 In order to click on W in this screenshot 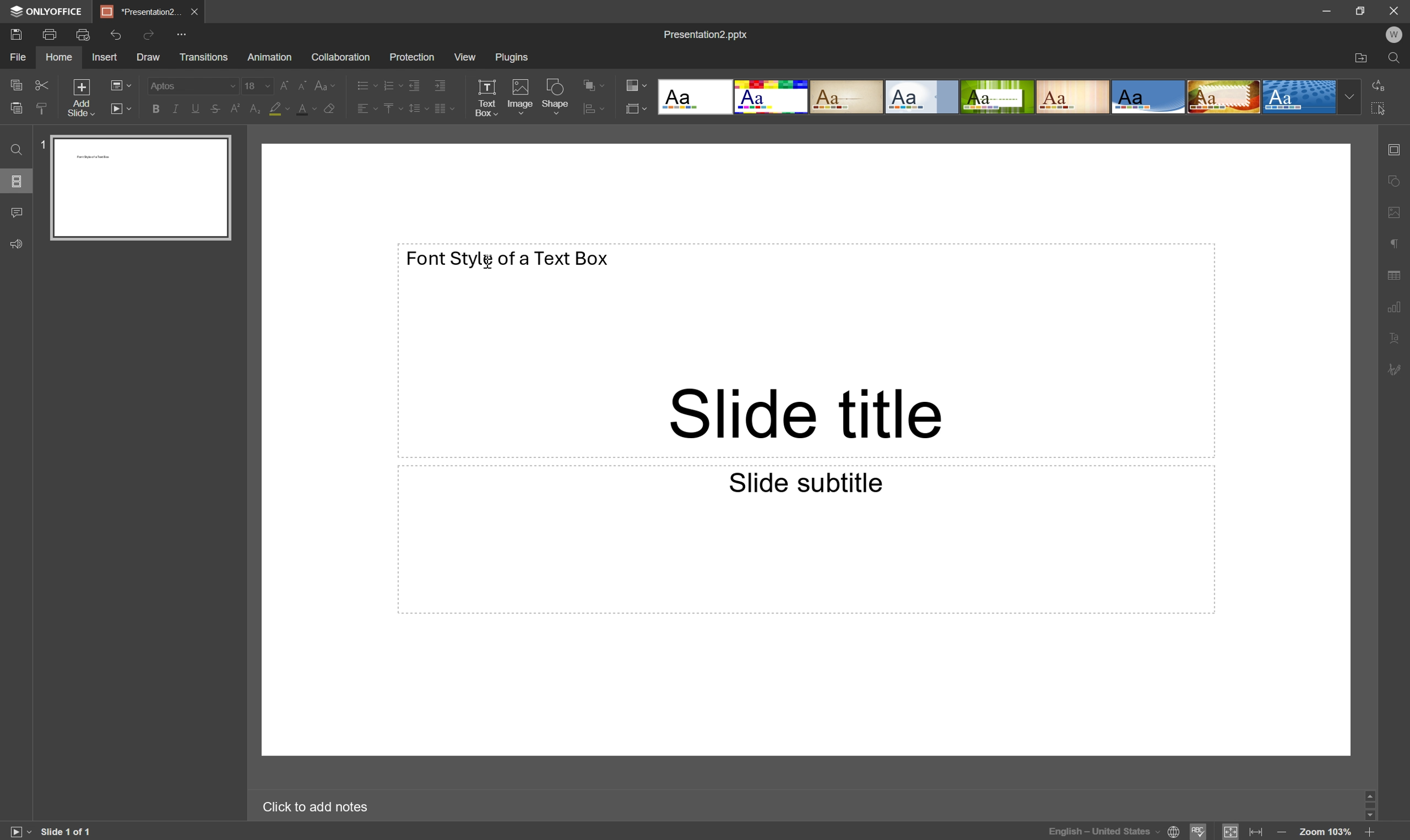, I will do `click(1396, 34)`.